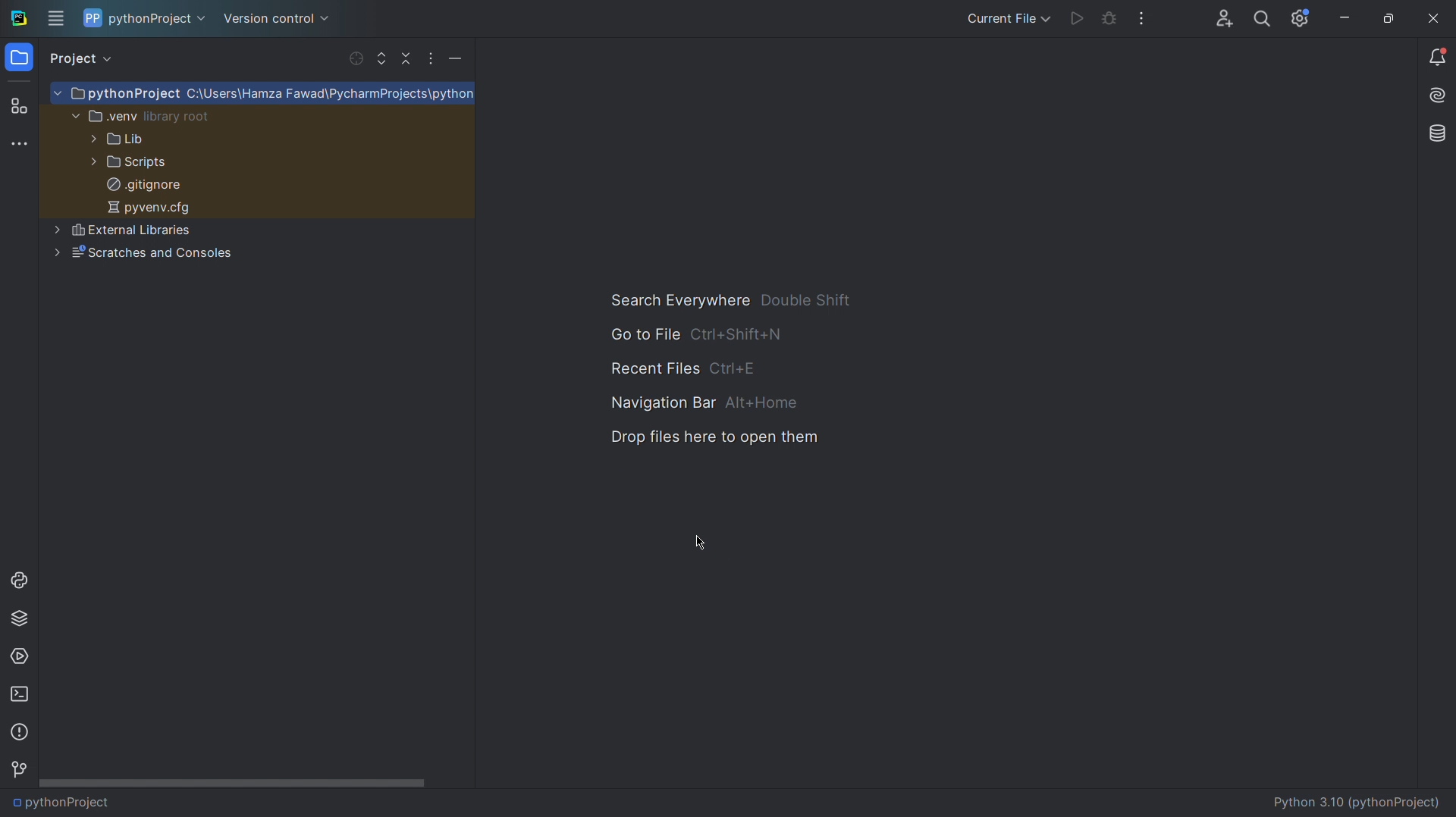 The width and height of the screenshot is (1456, 817). Describe the element at coordinates (402, 58) in the screenshot. I see `collapse` at that location.